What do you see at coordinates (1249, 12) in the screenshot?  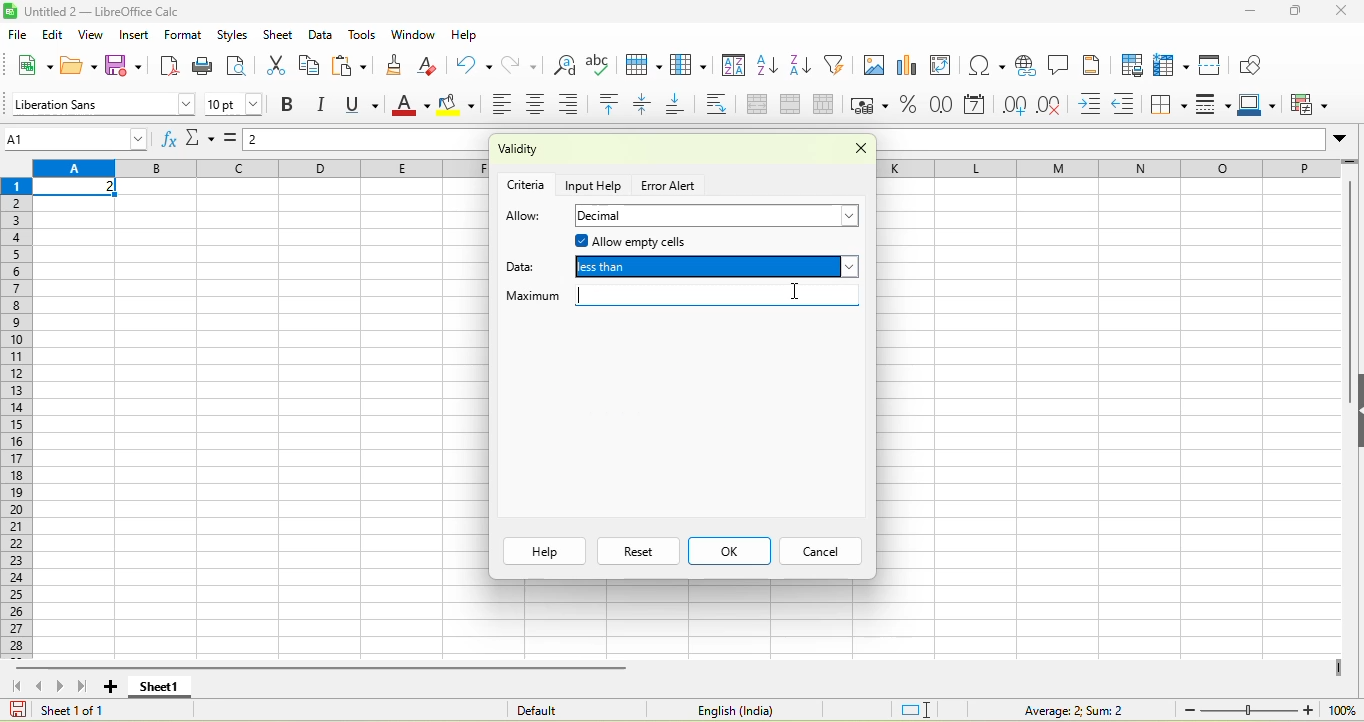 I see `minuimize` at bounding box center [1249, 12].